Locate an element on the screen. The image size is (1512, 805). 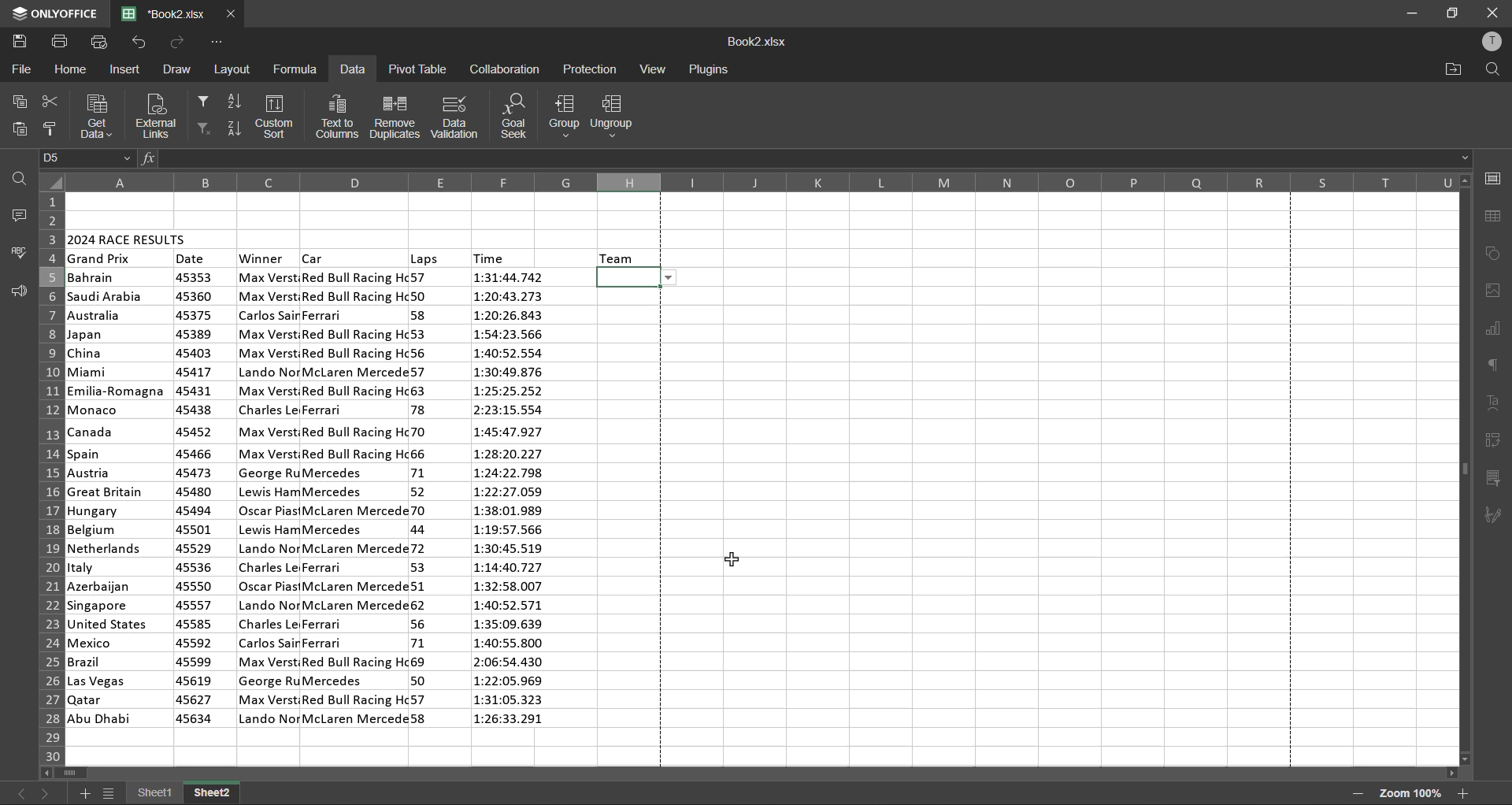
filename is located at coordinates (169, 13).